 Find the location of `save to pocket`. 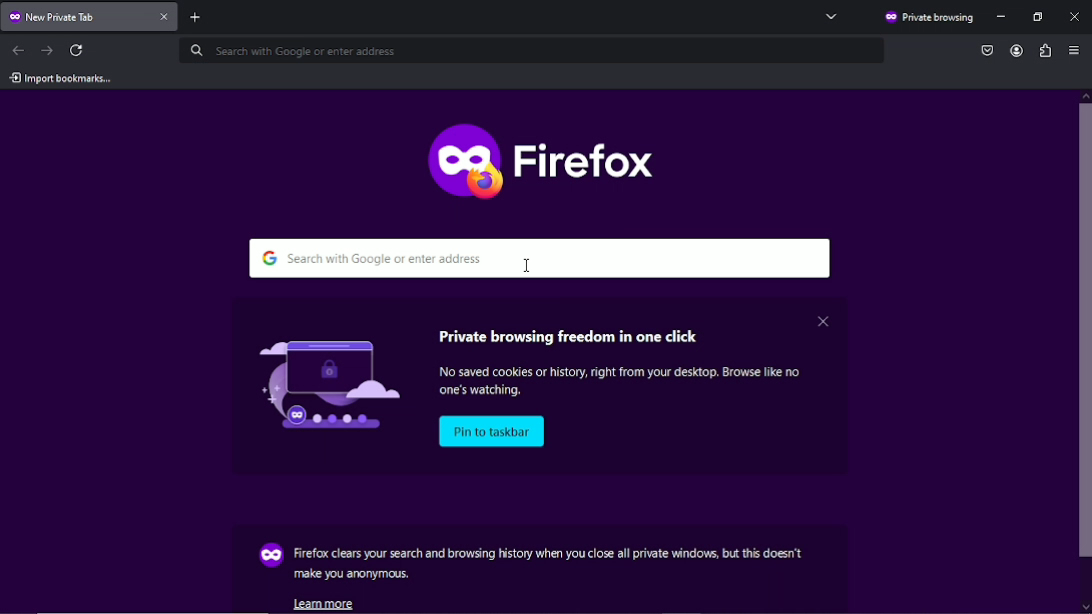

save to pocket is located at coordinates (987, 49).